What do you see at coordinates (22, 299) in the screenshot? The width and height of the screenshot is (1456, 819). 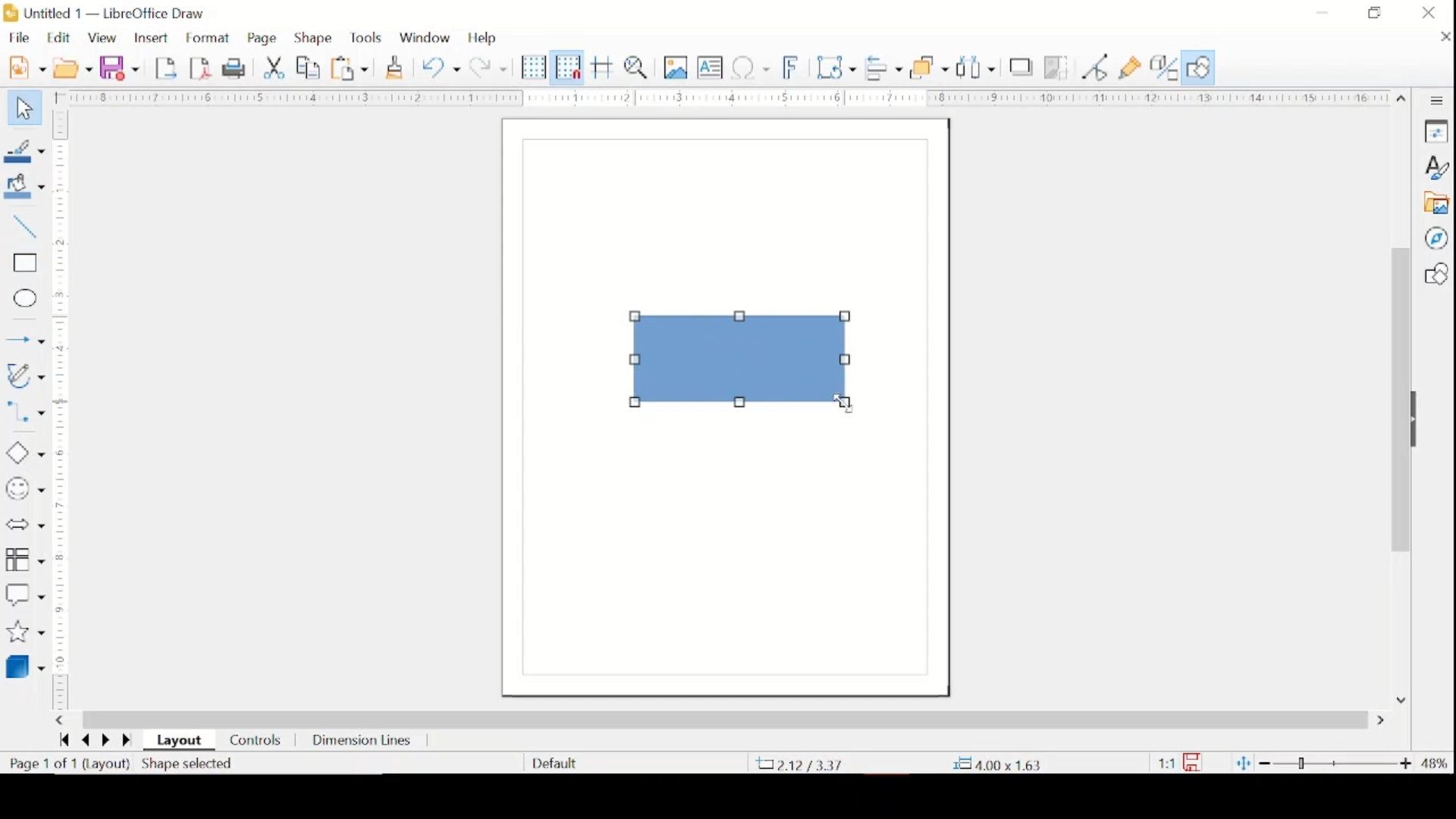 I see `insert ellipse` at bounding box center [22, 299].